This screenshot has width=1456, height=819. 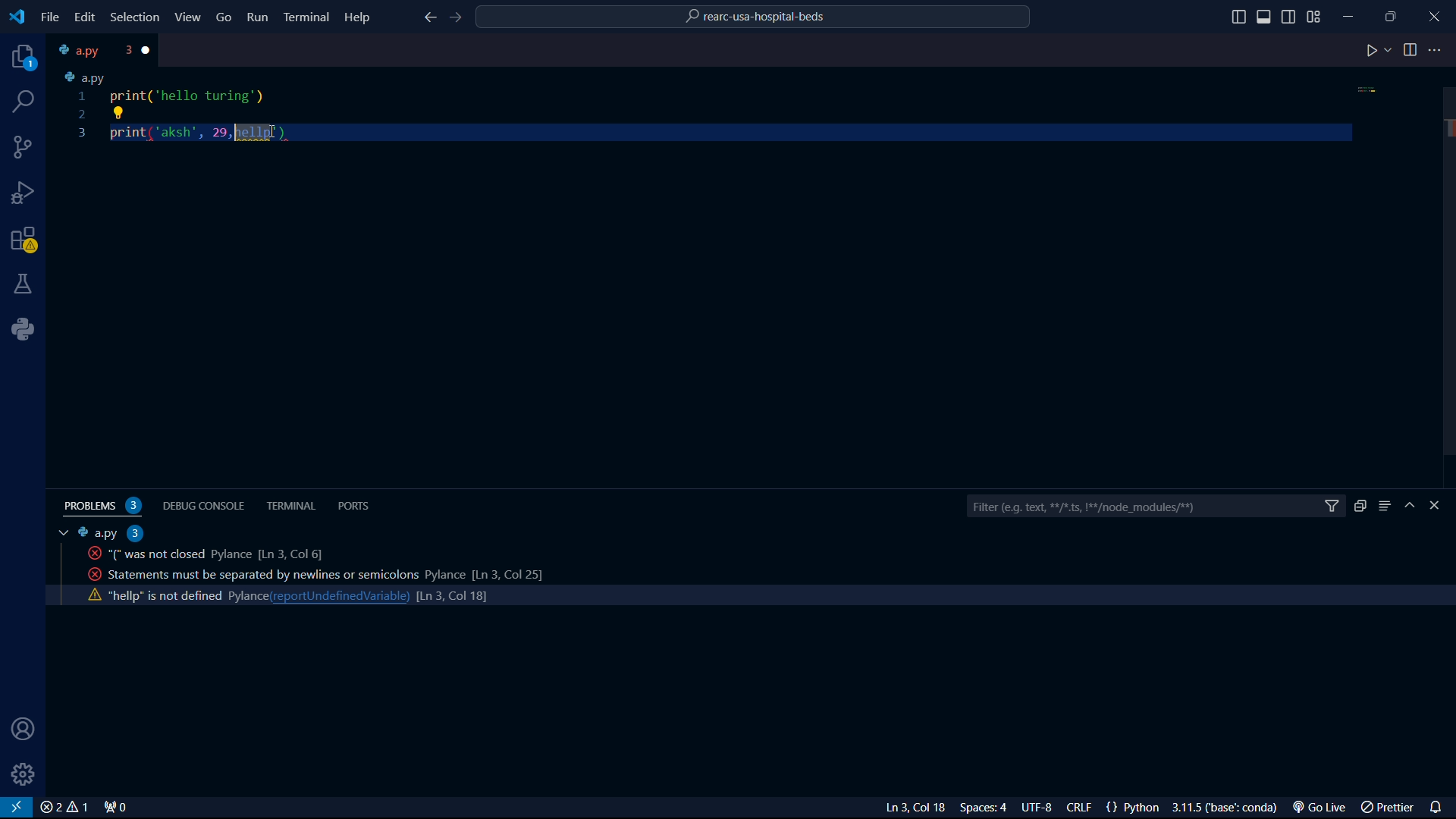 What do you see at coordinates (15, 15) in the screenshot?
I see `VS Code logo` at bounding box center [15, 15].